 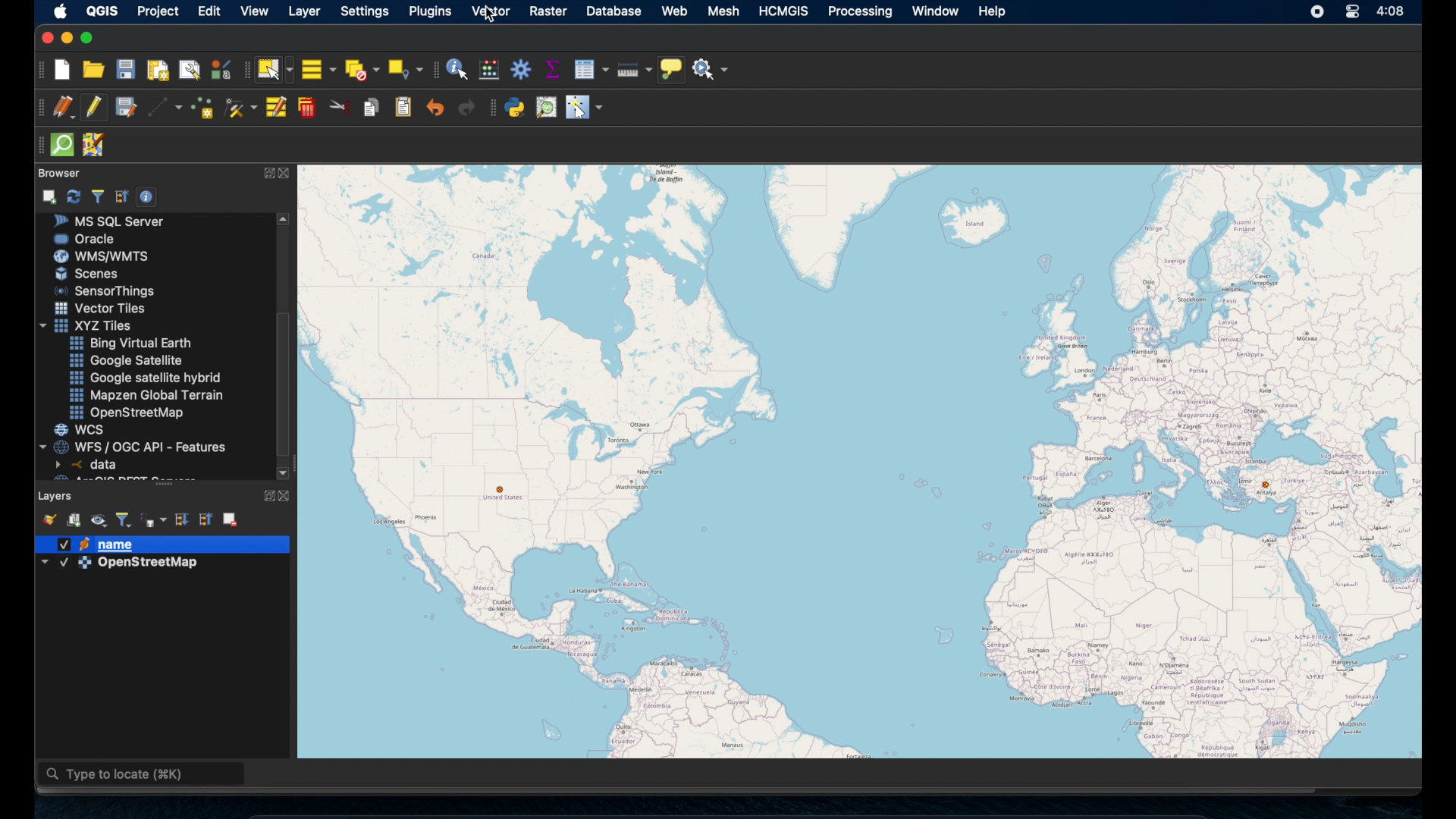 What do you see at coordinates (491, 107) in the screenshot?
I see `plugins toolbar` at bounding box center [491, 107].